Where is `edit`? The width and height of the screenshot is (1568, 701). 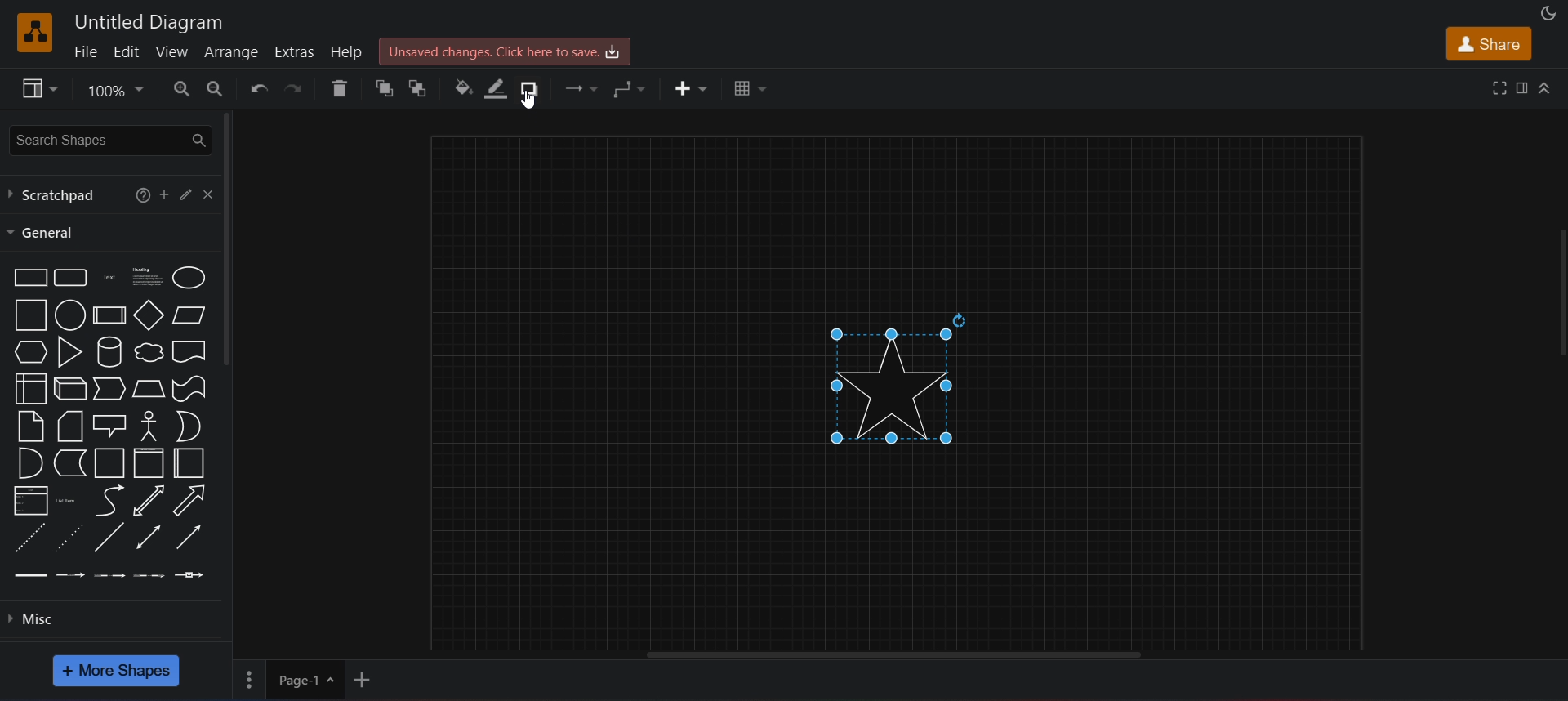 edit is located at coordinates (133, 50).